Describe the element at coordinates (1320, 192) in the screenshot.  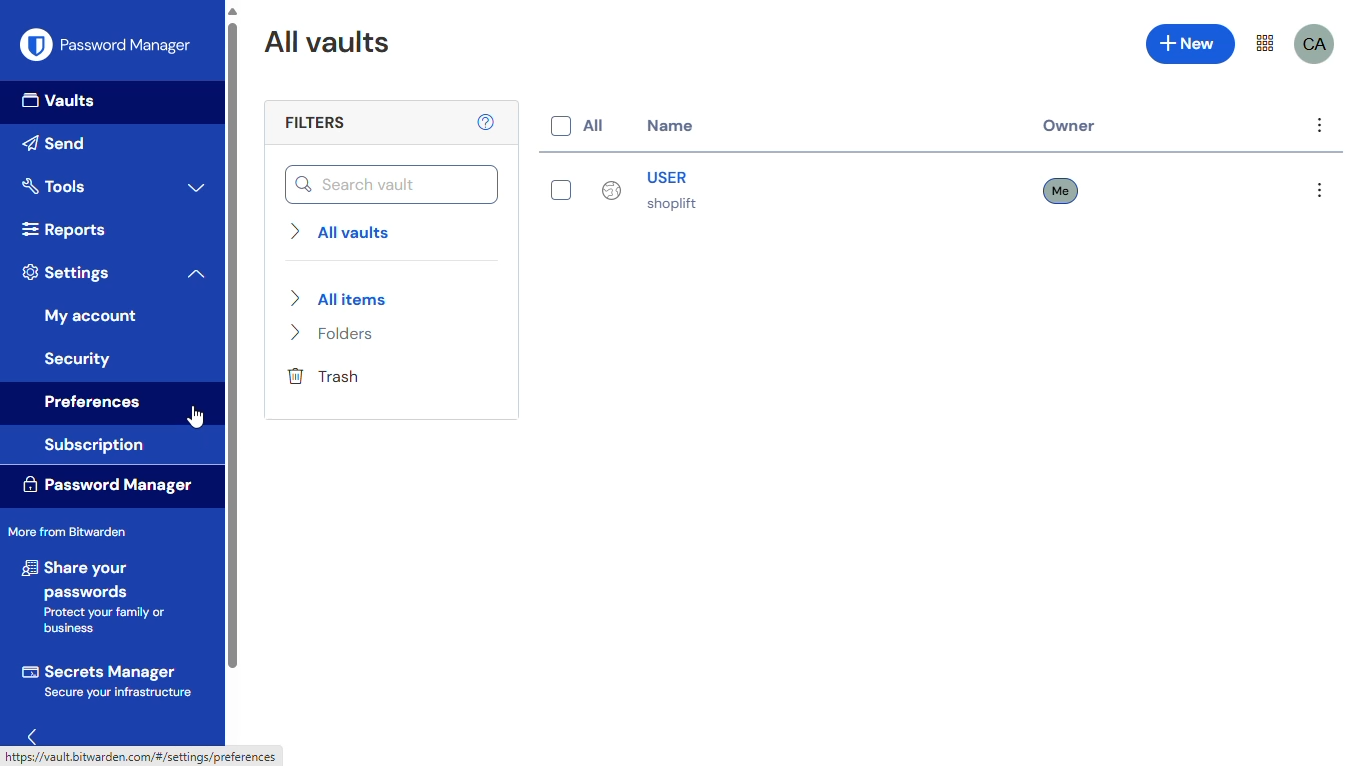
I see `options` at that location.